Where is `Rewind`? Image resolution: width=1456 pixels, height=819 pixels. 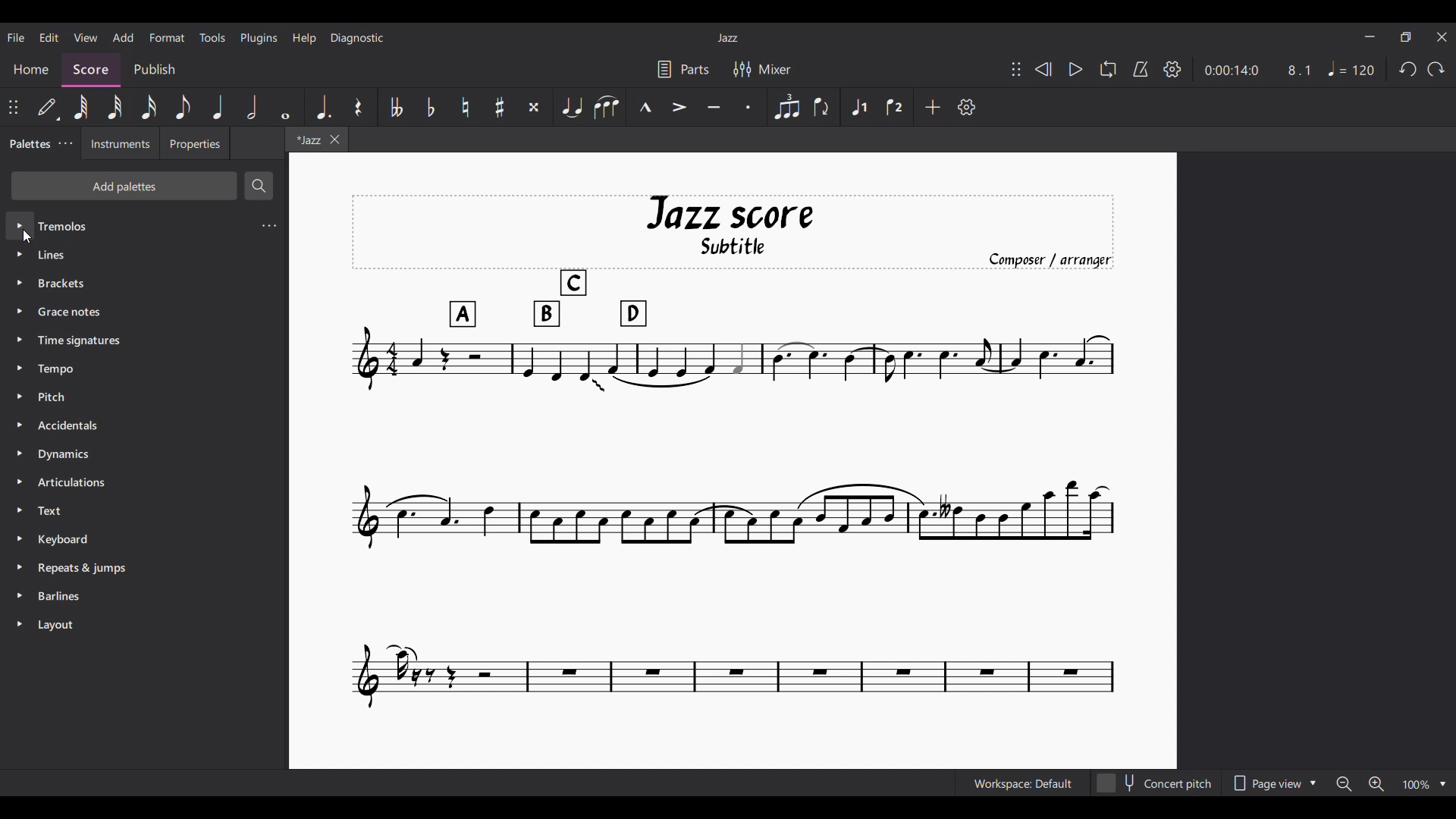
Rewind is located at coordinates (1043, 69).